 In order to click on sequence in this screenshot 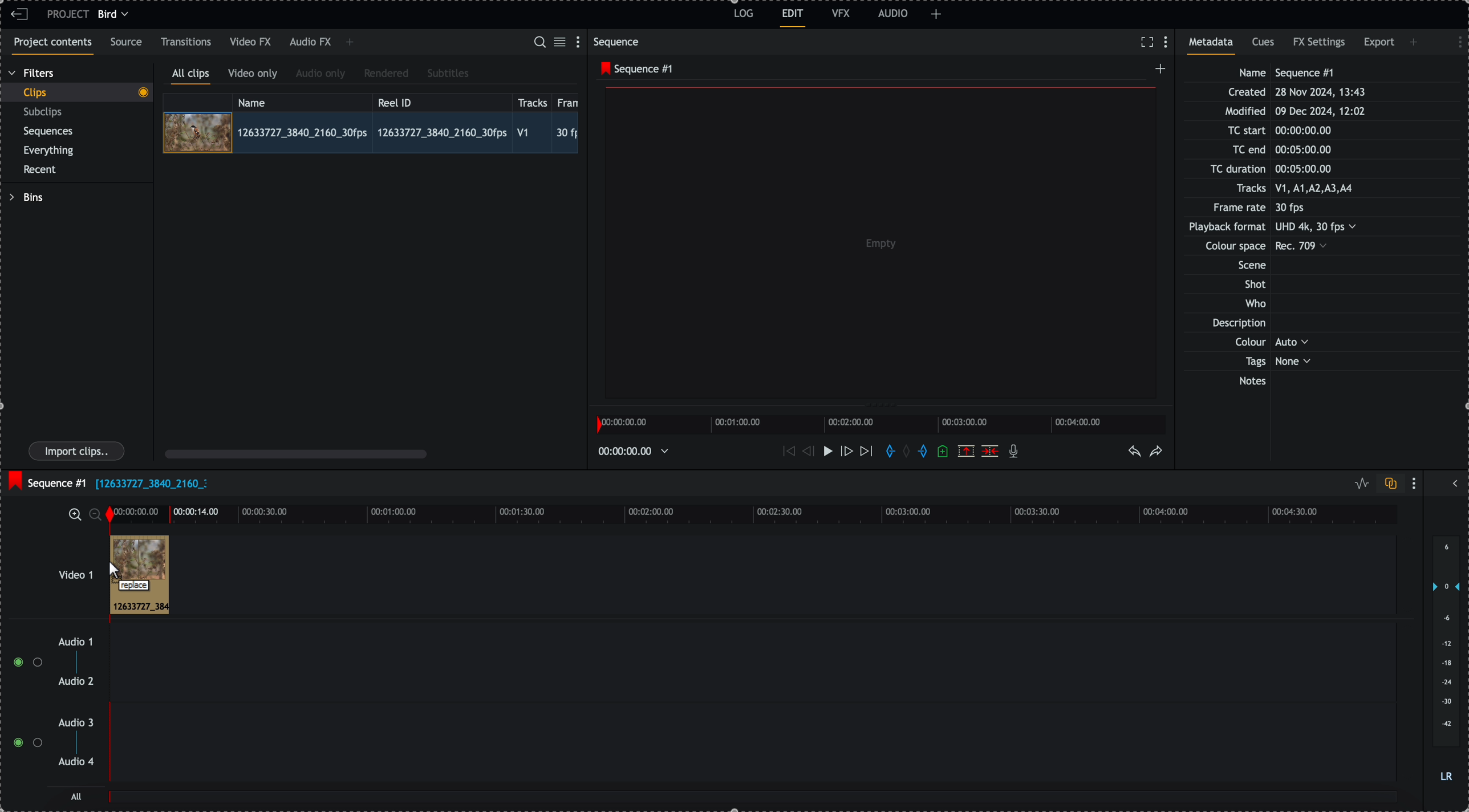, I will do `click(619, 42)`.